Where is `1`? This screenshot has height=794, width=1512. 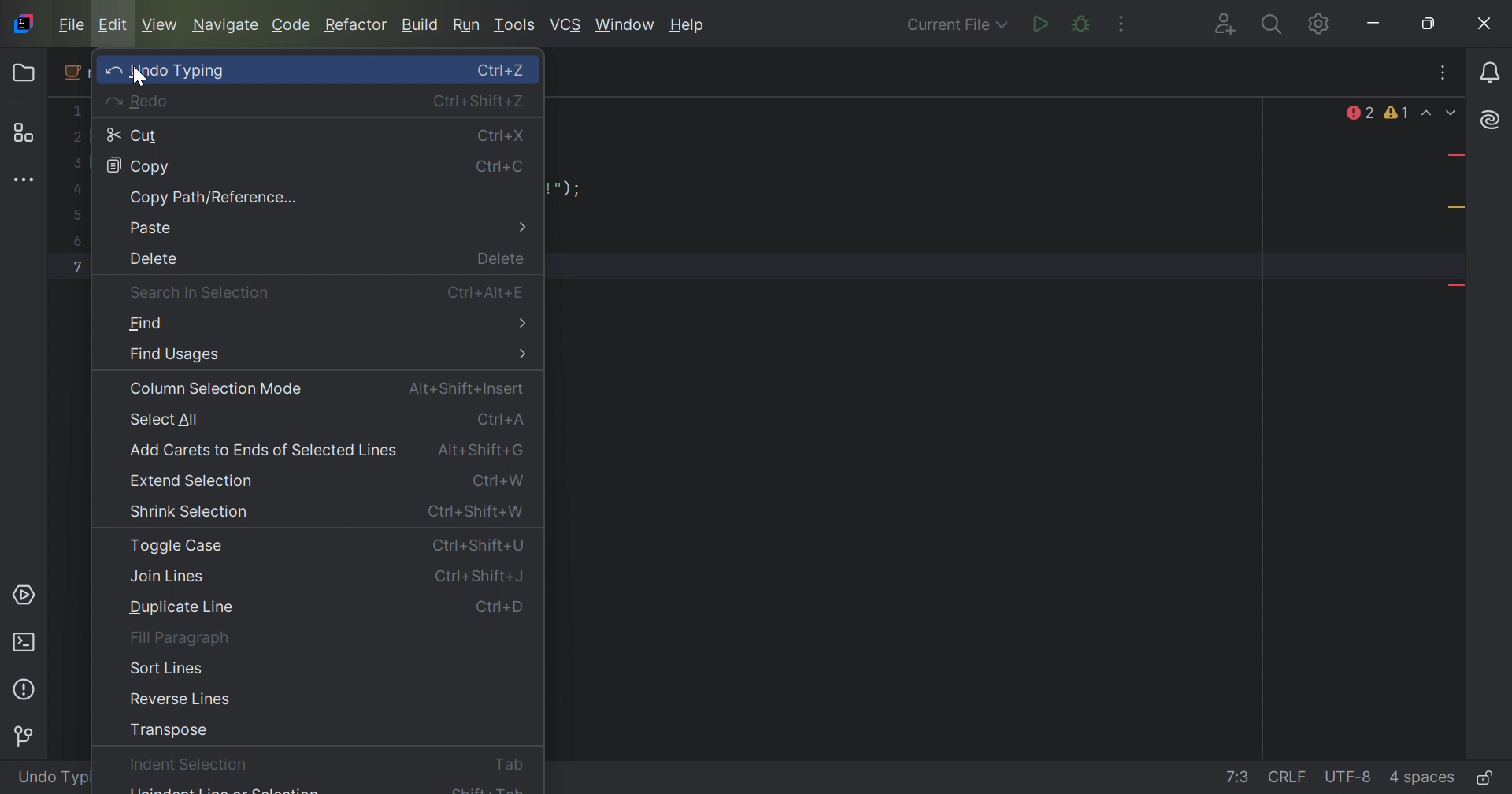
1 is located at coordinates (80, 110).